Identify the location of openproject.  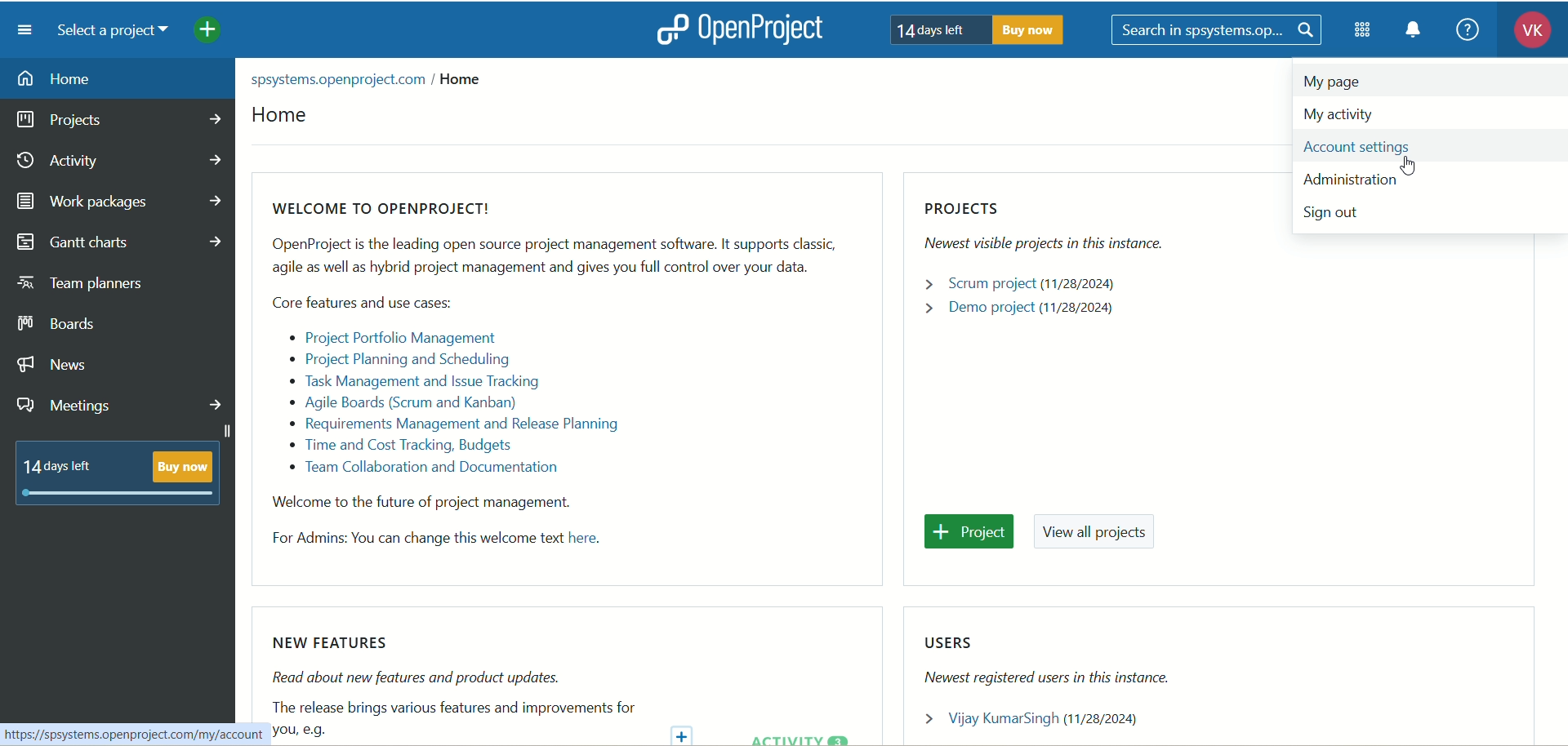
(770, 31).